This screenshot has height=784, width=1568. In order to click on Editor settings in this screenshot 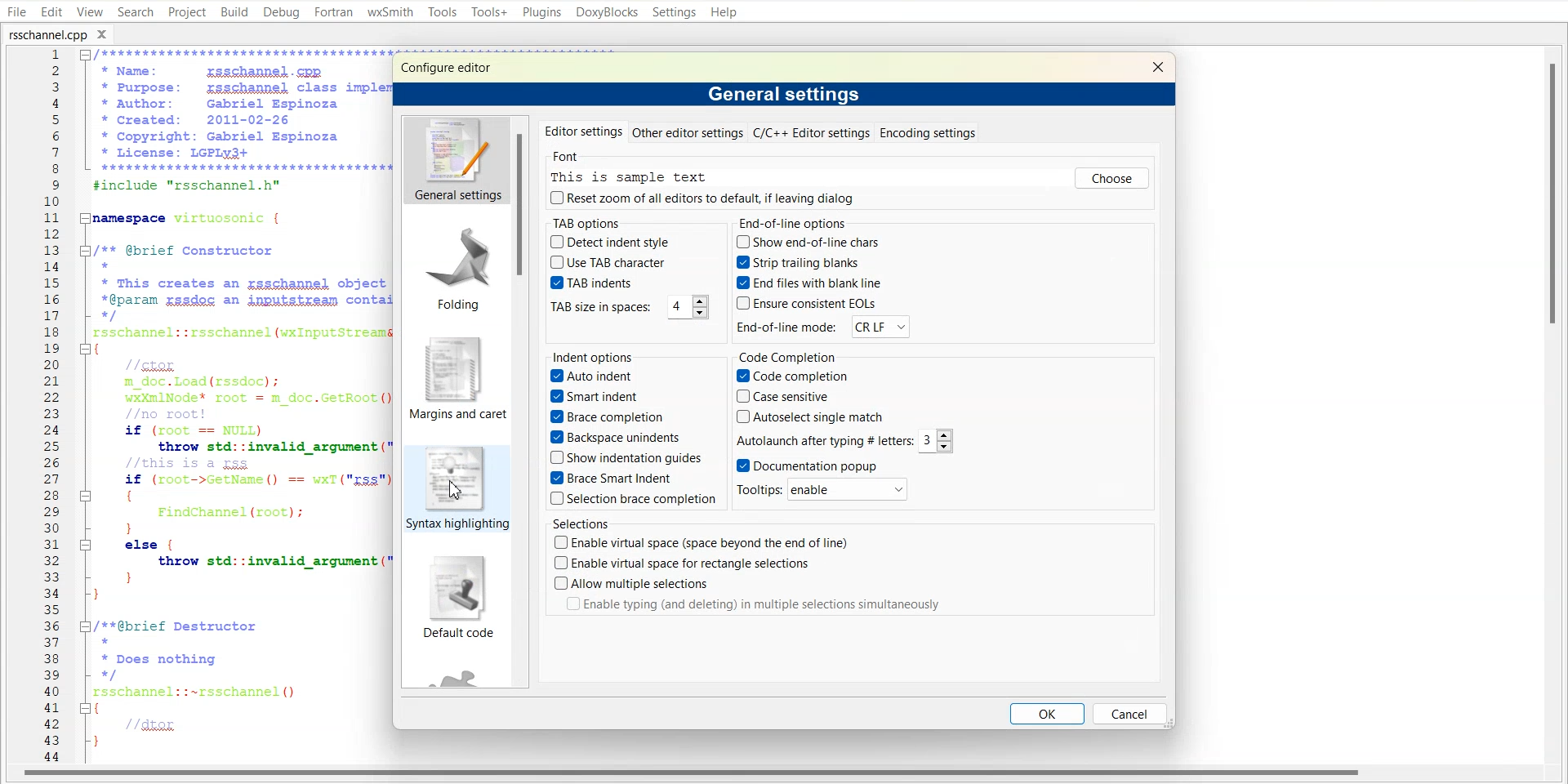, I will do `click(582, 132)`.